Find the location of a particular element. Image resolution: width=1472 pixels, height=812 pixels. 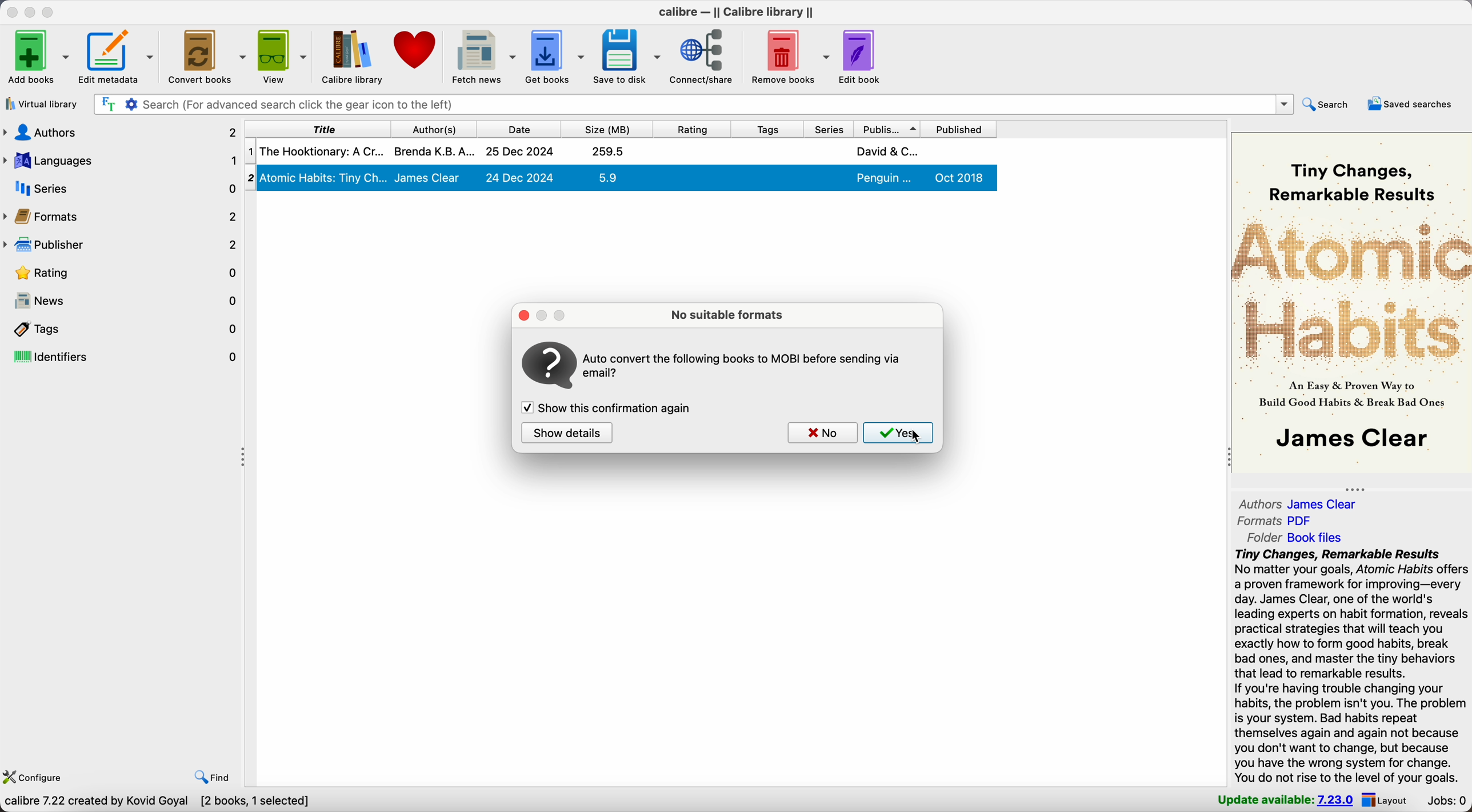

259.5 is located at coordinates (609, 151).